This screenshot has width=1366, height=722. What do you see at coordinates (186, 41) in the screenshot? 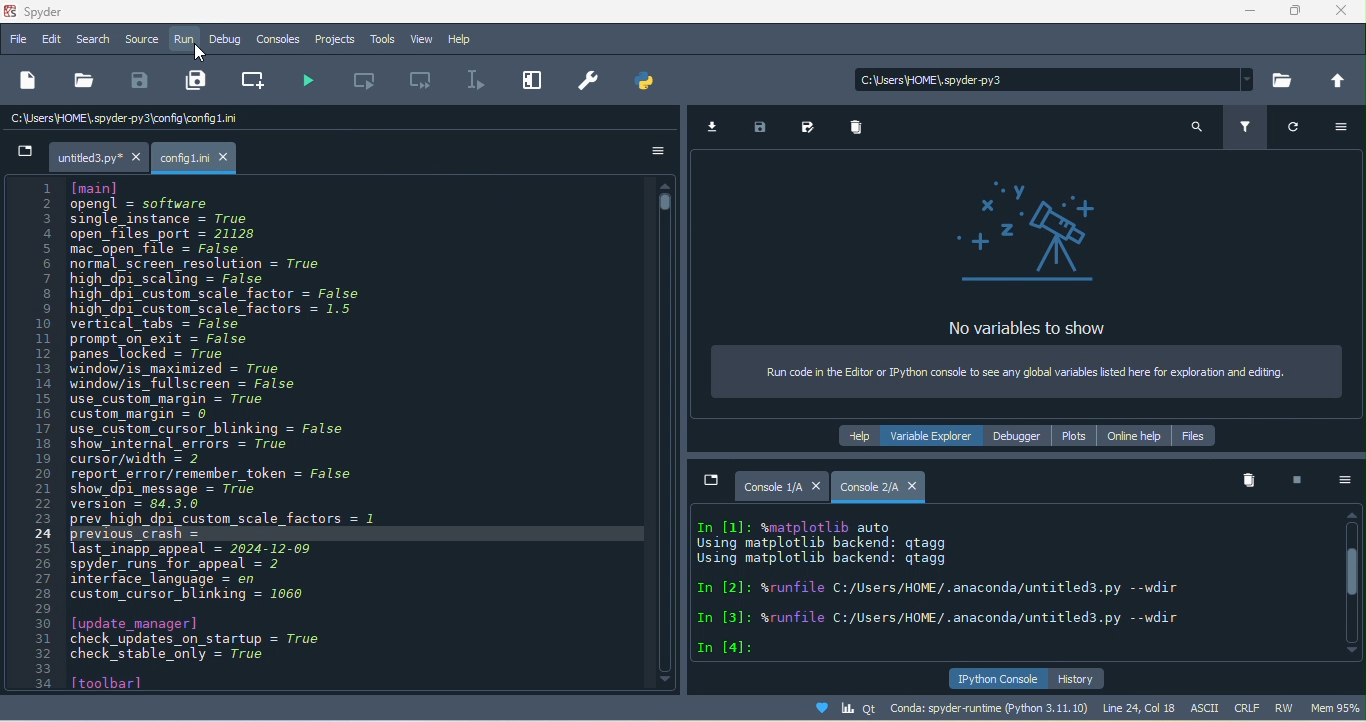
I see `run` at bounding box center [186, 41].